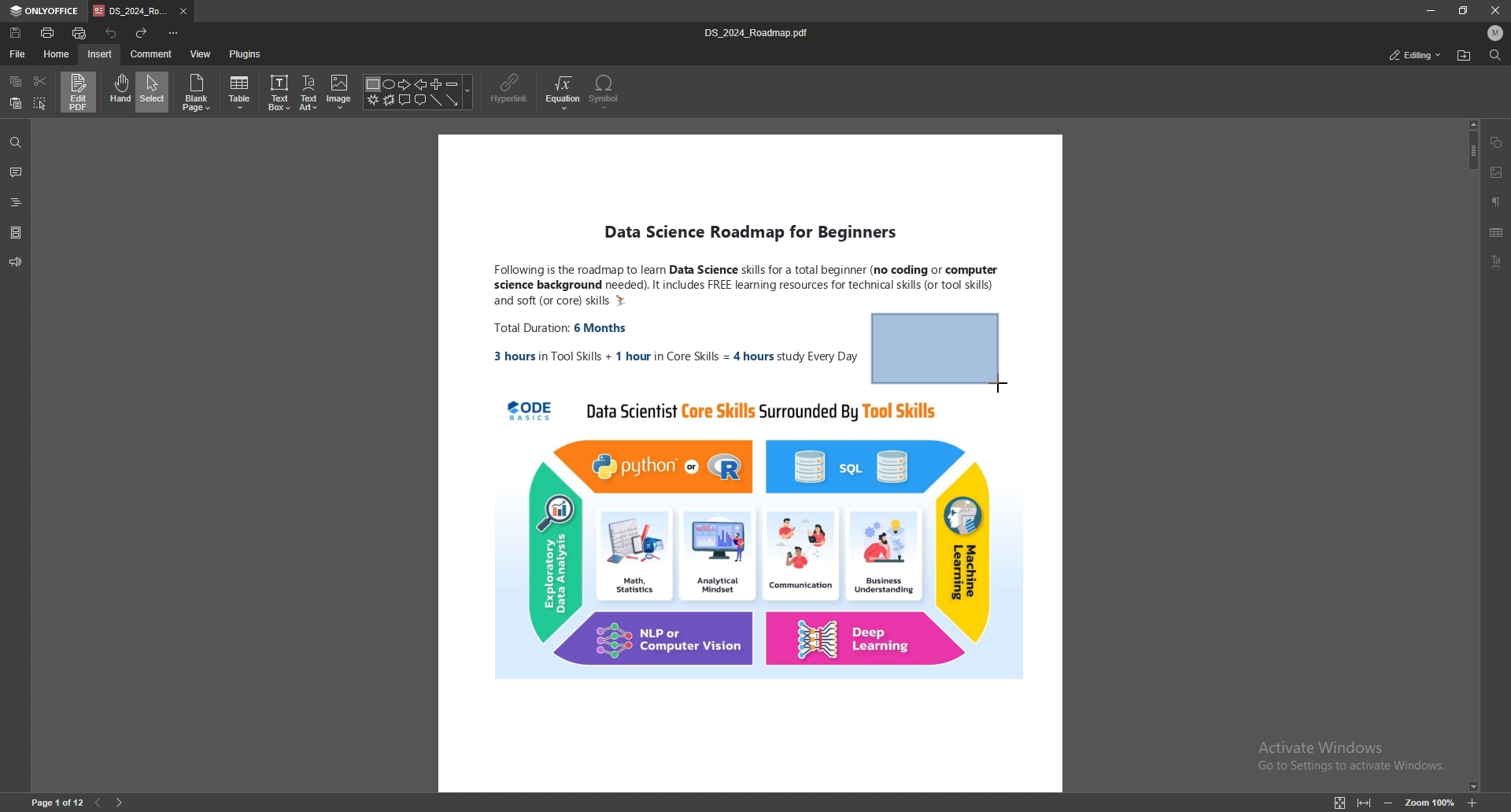 The height and width of the screenshot is (812, 1511). Describe the element at coordinates (112, 31) in the screenshot. I see `undo` at that location.